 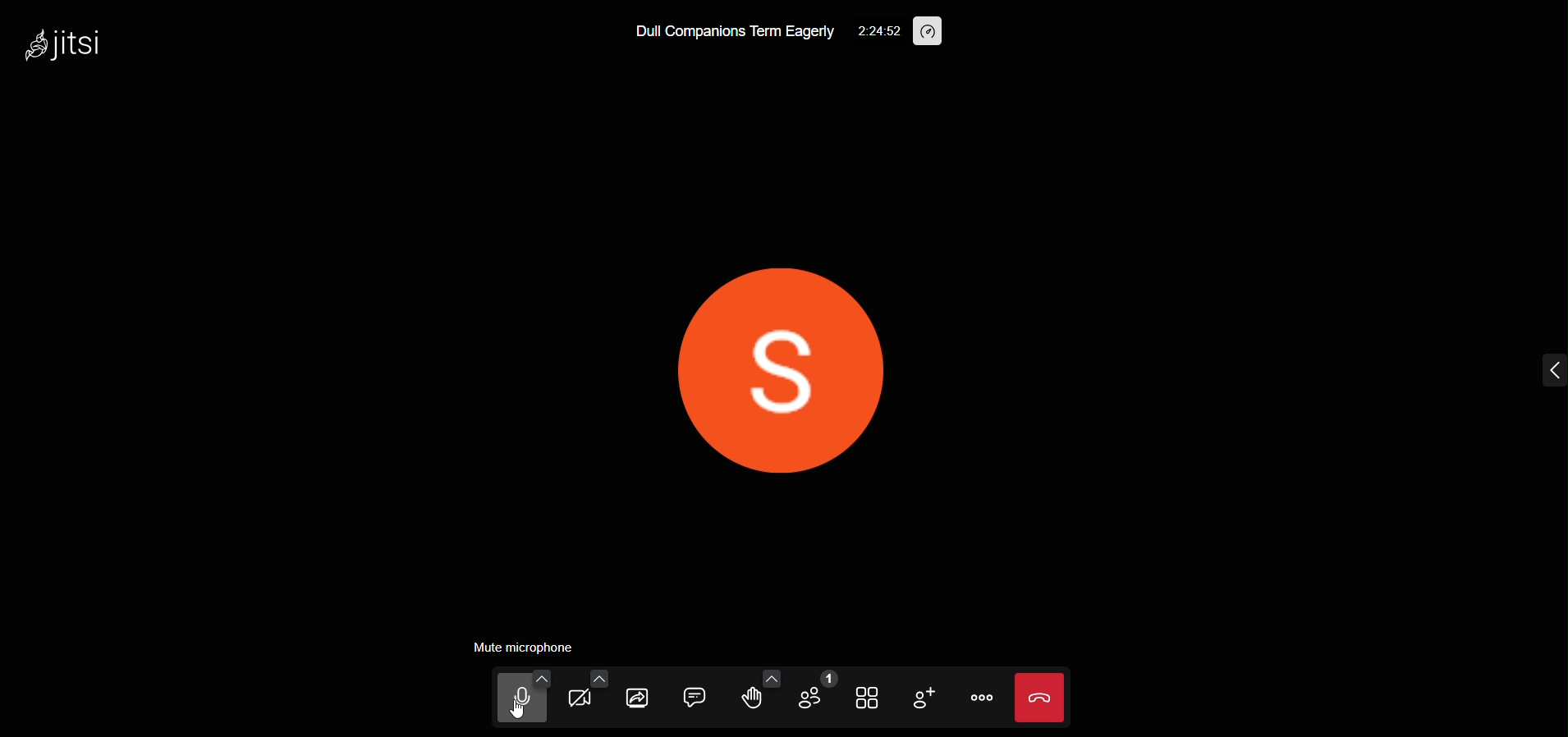 What do you see at coordinates (778, 368) in the screenshot?
I see `display picture` at bounding box center [778, 368].